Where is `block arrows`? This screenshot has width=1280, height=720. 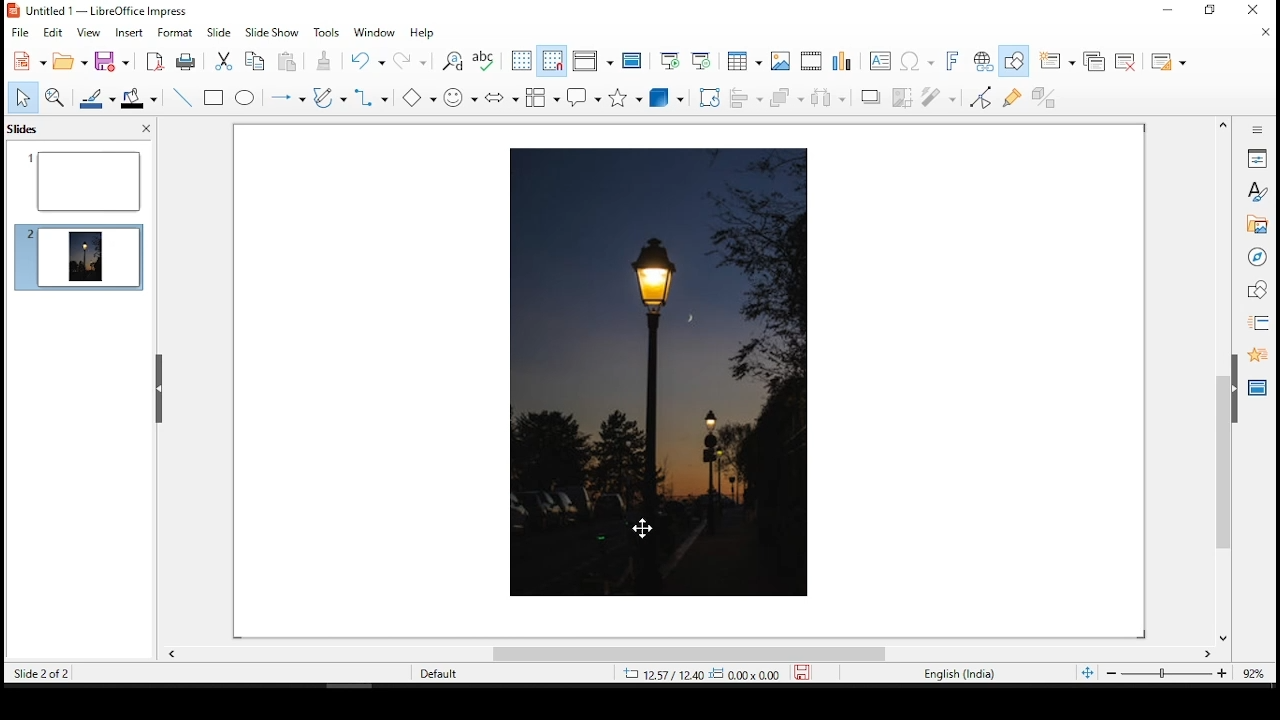 block arrows is located at coordinates (501, 98).